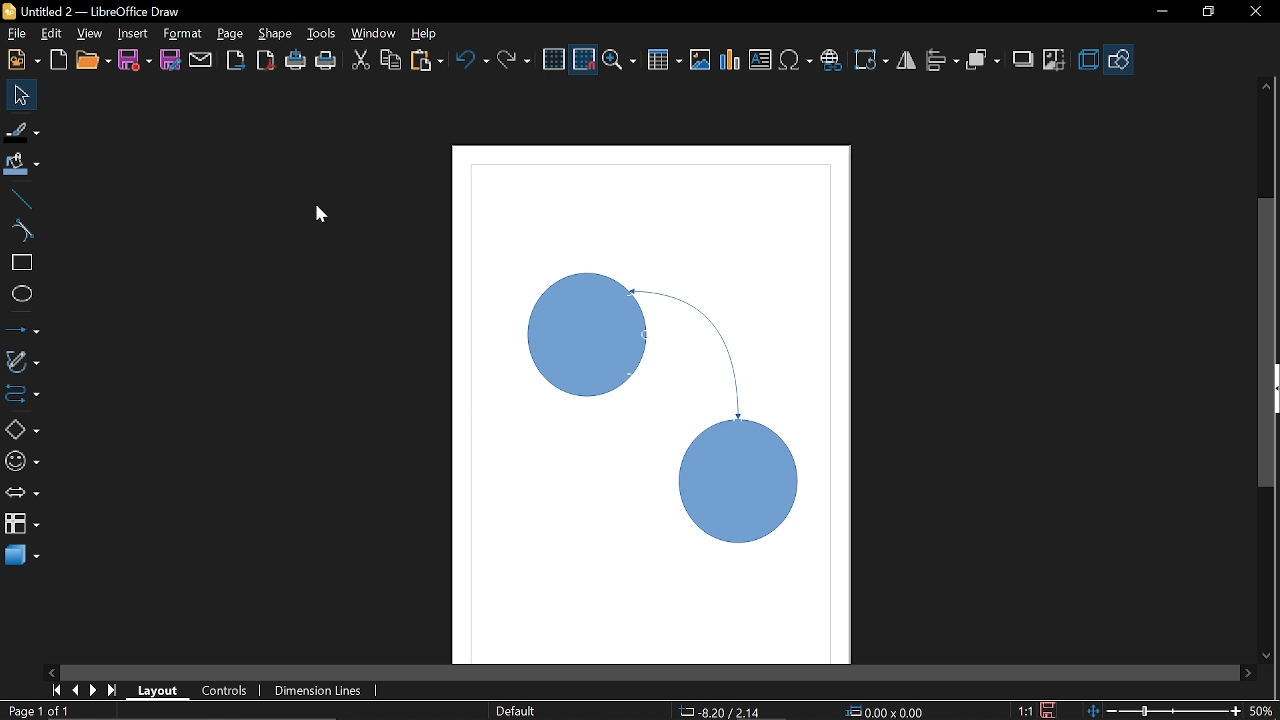 The image size is (1280, 720). What do you see at coordinates (762, 61) in the screenshot?
I see `Insert text` at bounding box center [762, 61].